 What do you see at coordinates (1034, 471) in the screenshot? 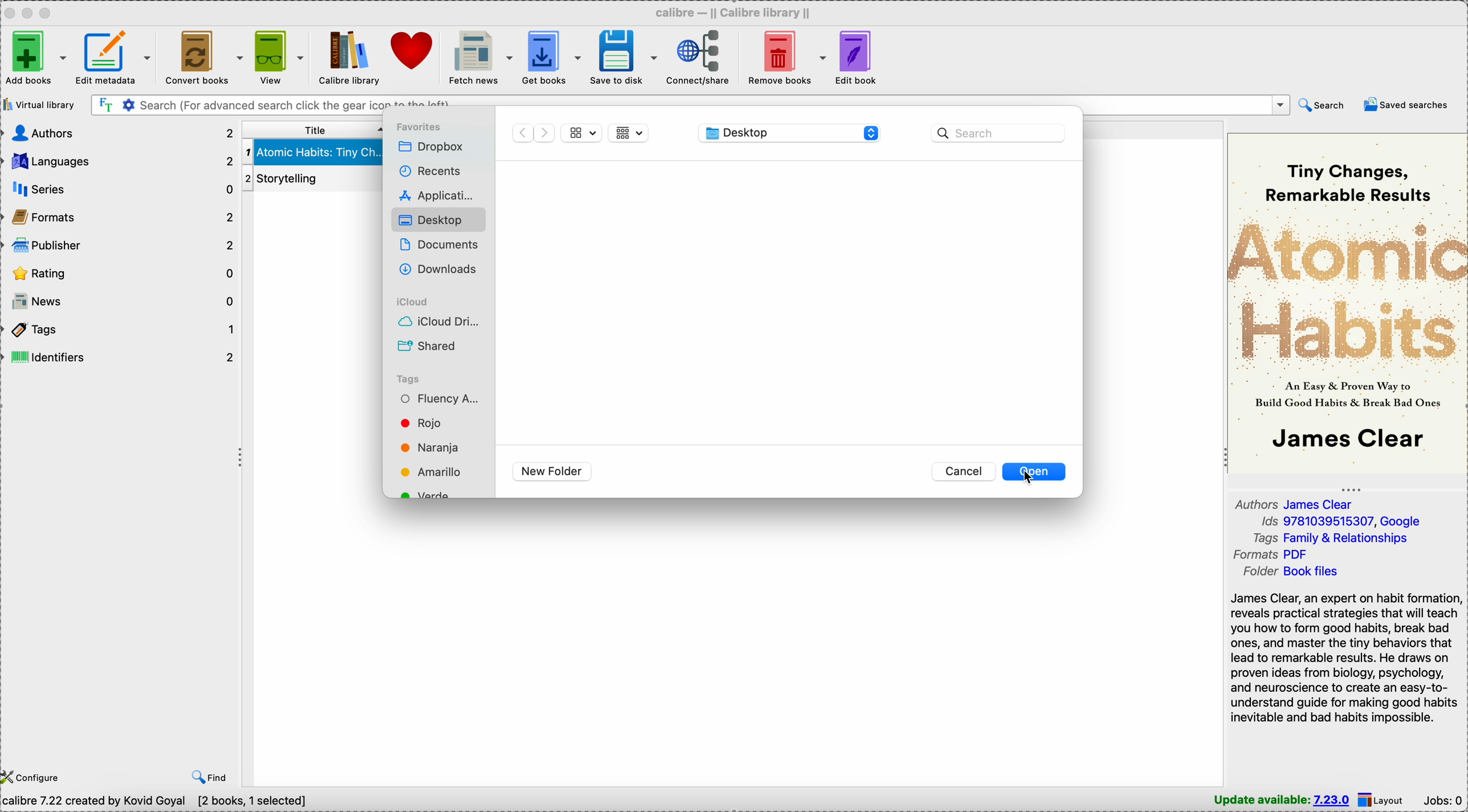
I see `open` at bounding box center [1034, 471].